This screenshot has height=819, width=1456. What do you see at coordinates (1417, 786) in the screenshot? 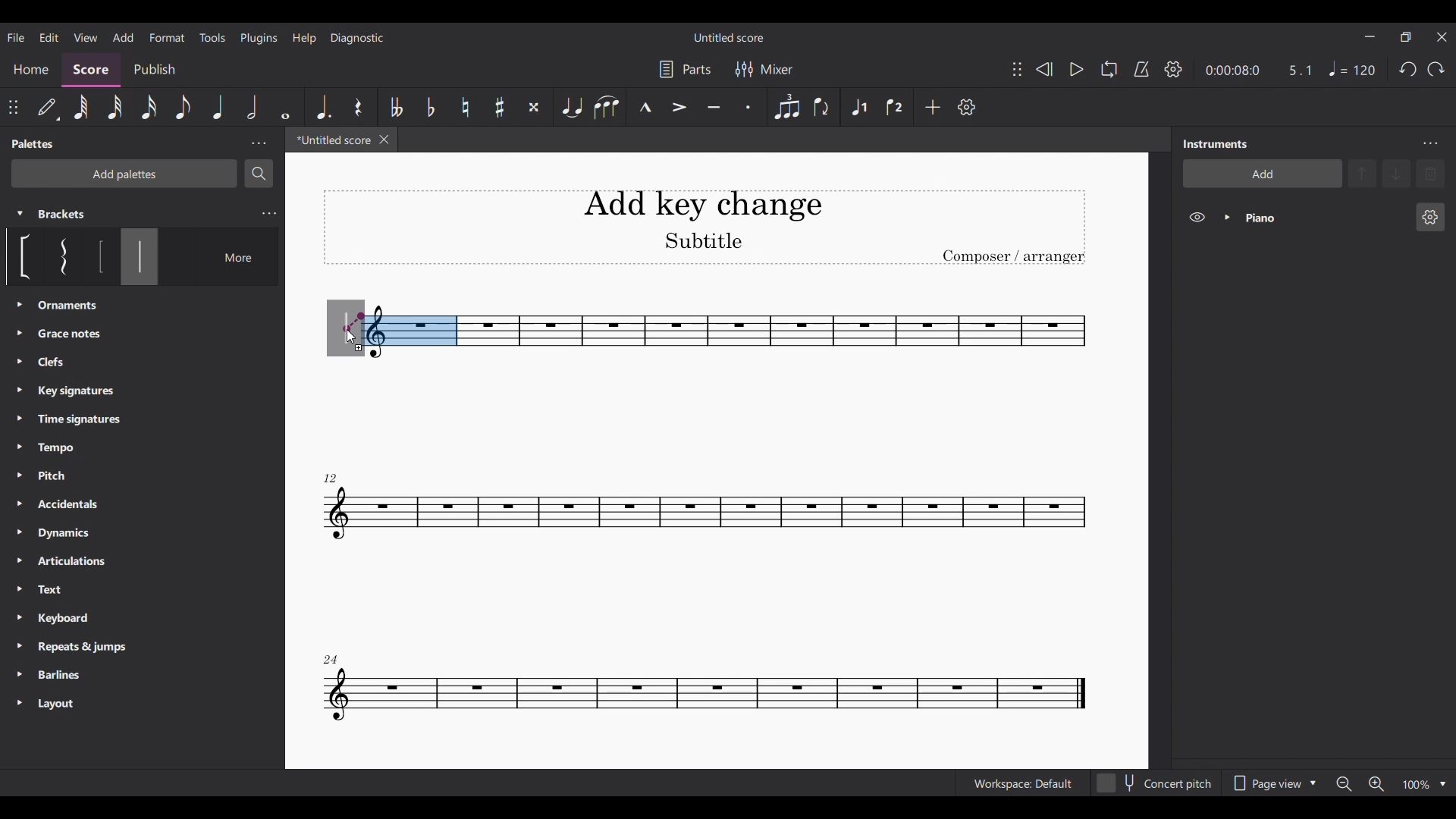
I see `Zoom factor` at bounding box center [1417, 786].